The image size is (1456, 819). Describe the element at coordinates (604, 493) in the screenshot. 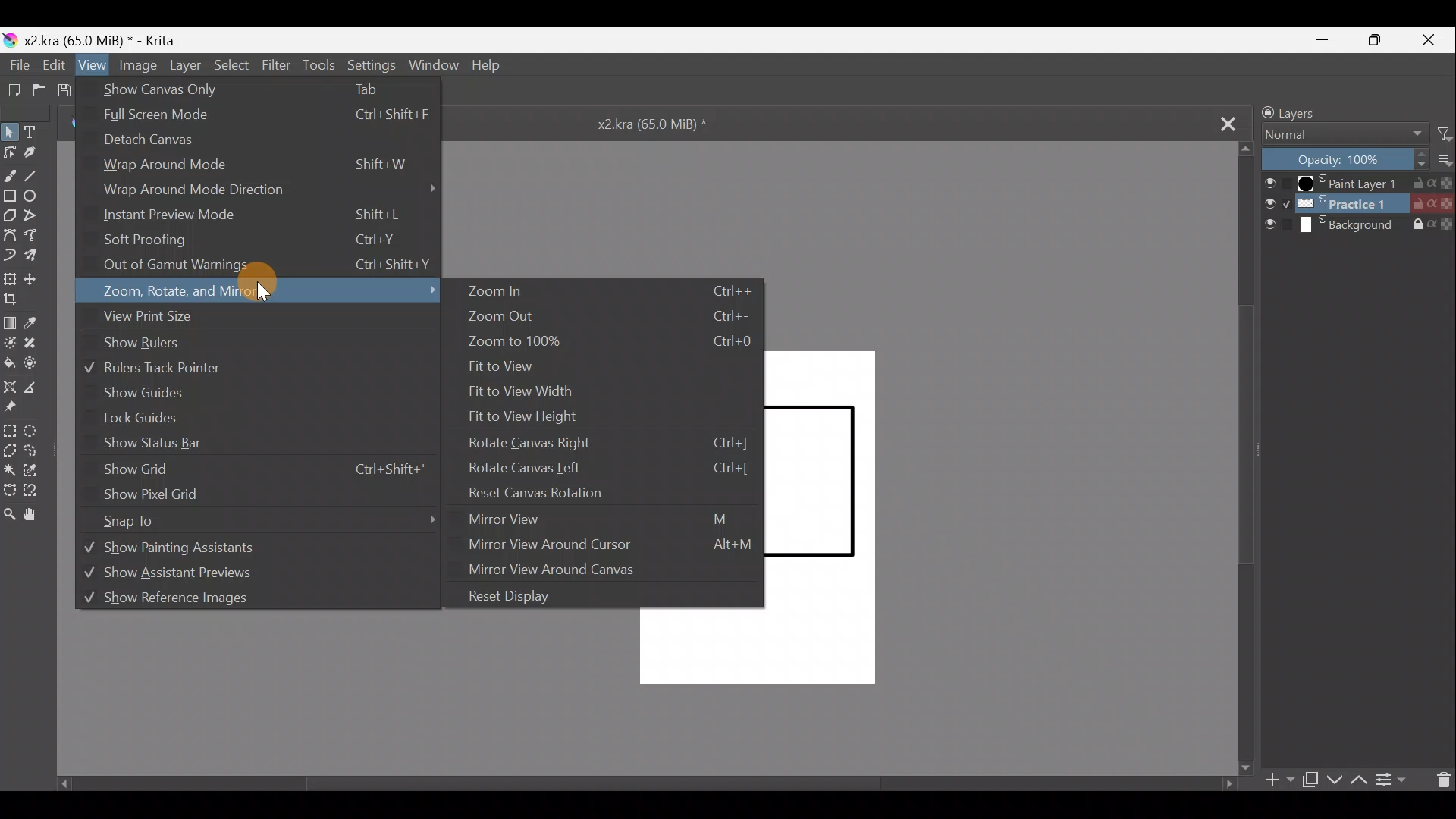

I see `Reset canvas rotation` at that location.